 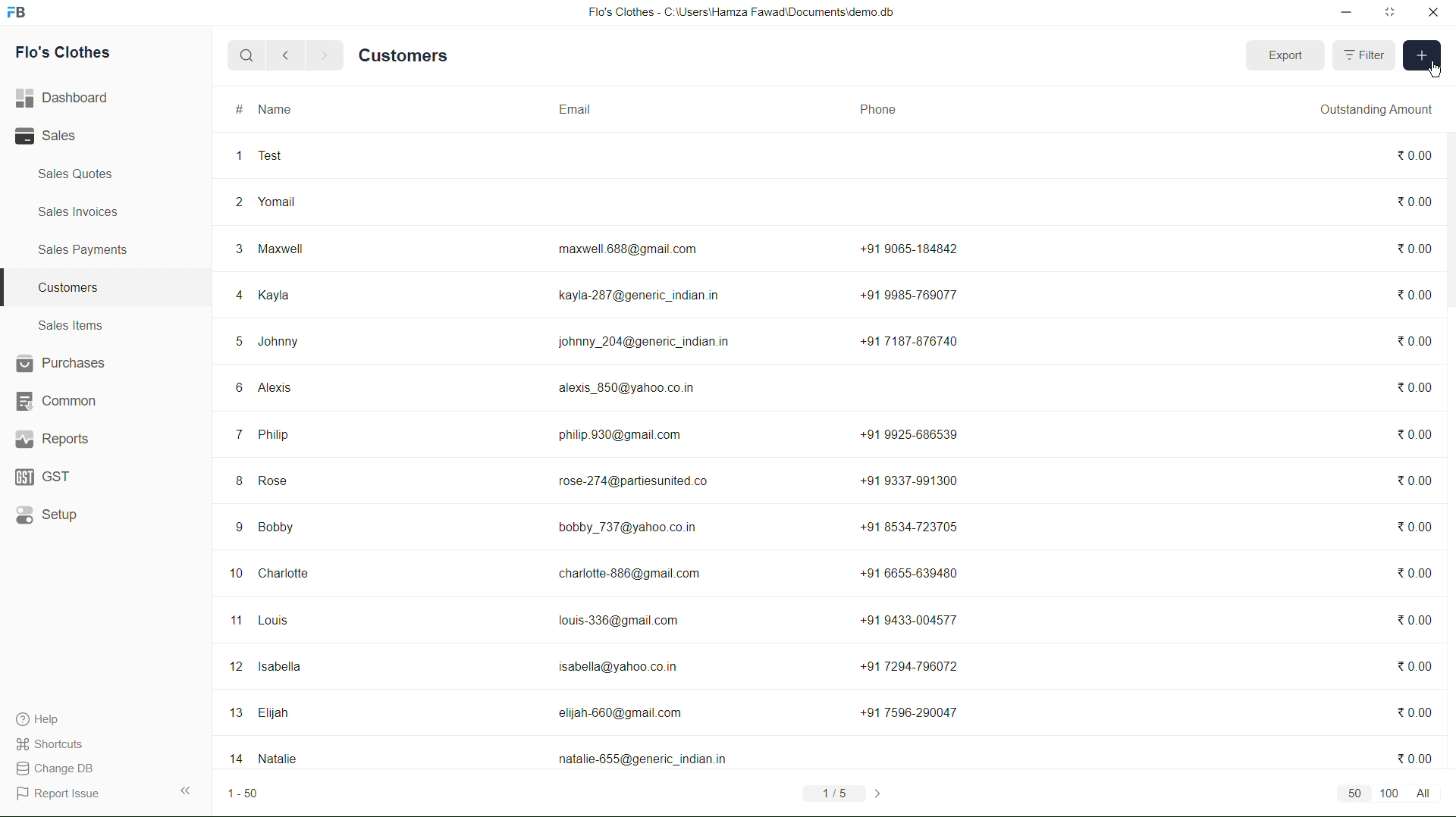 I want to click on 0.00, so click(x=1410, y=524).